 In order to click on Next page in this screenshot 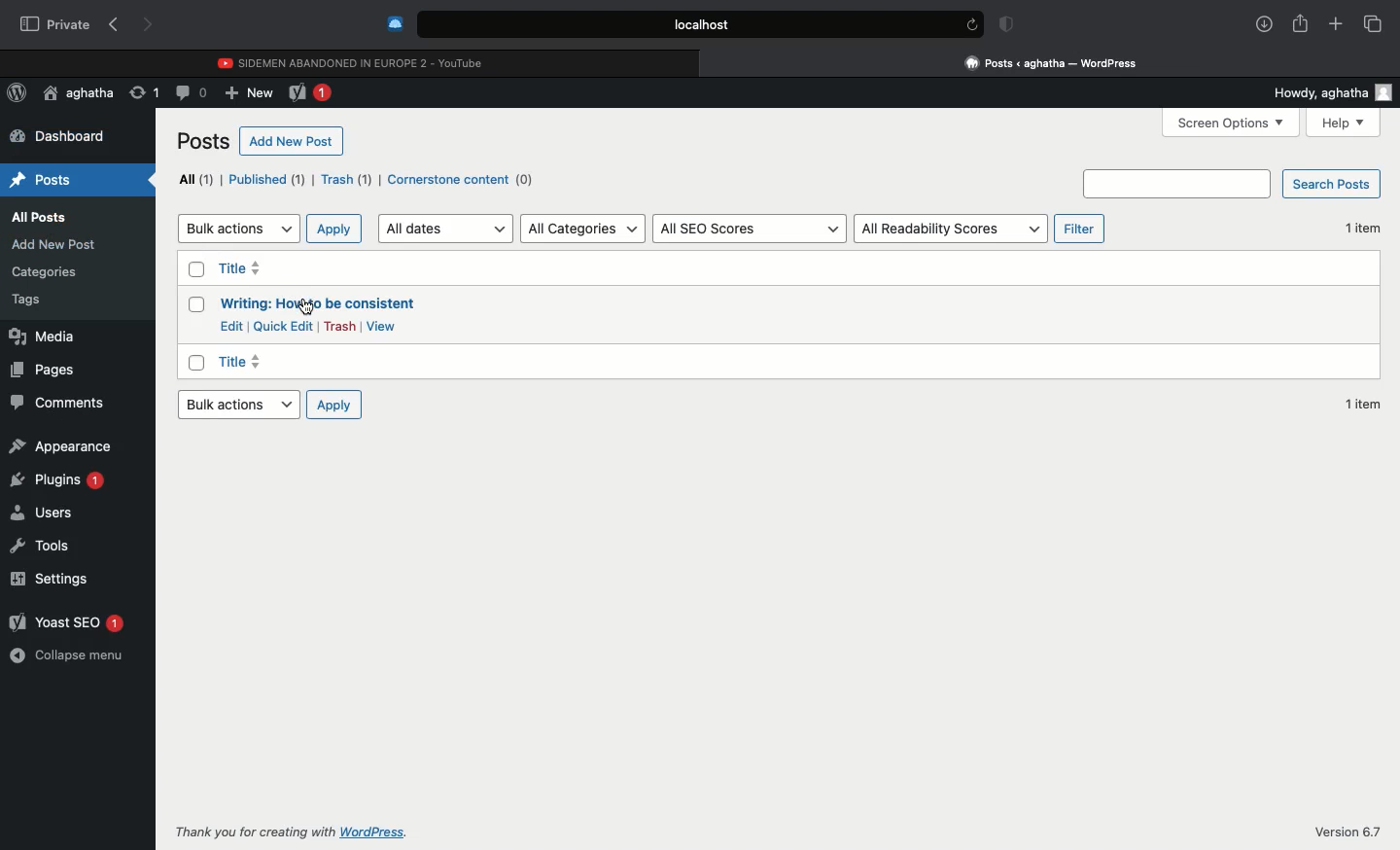, I will do `click(150, 26)`.